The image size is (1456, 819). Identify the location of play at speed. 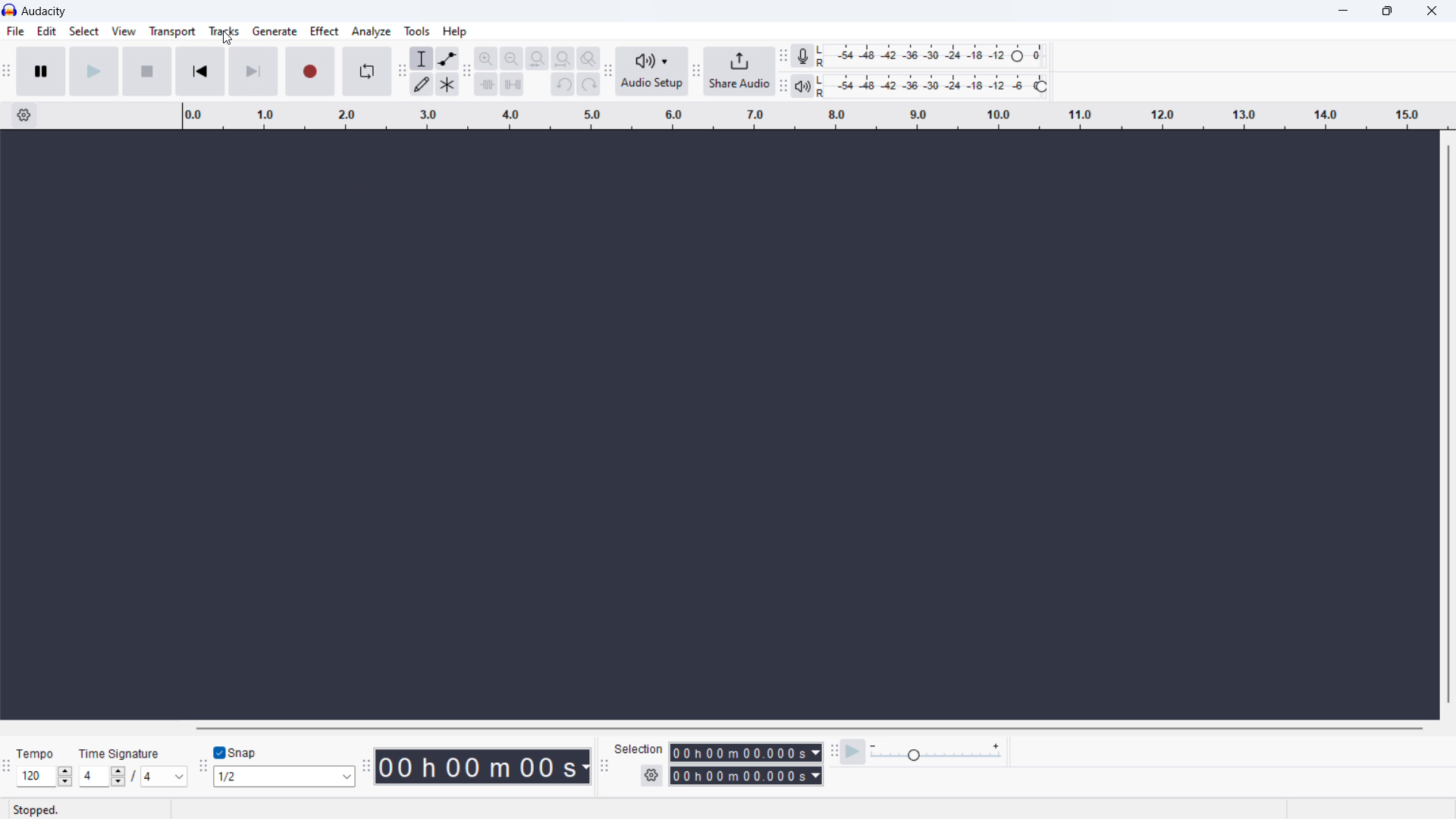
(855, 752).